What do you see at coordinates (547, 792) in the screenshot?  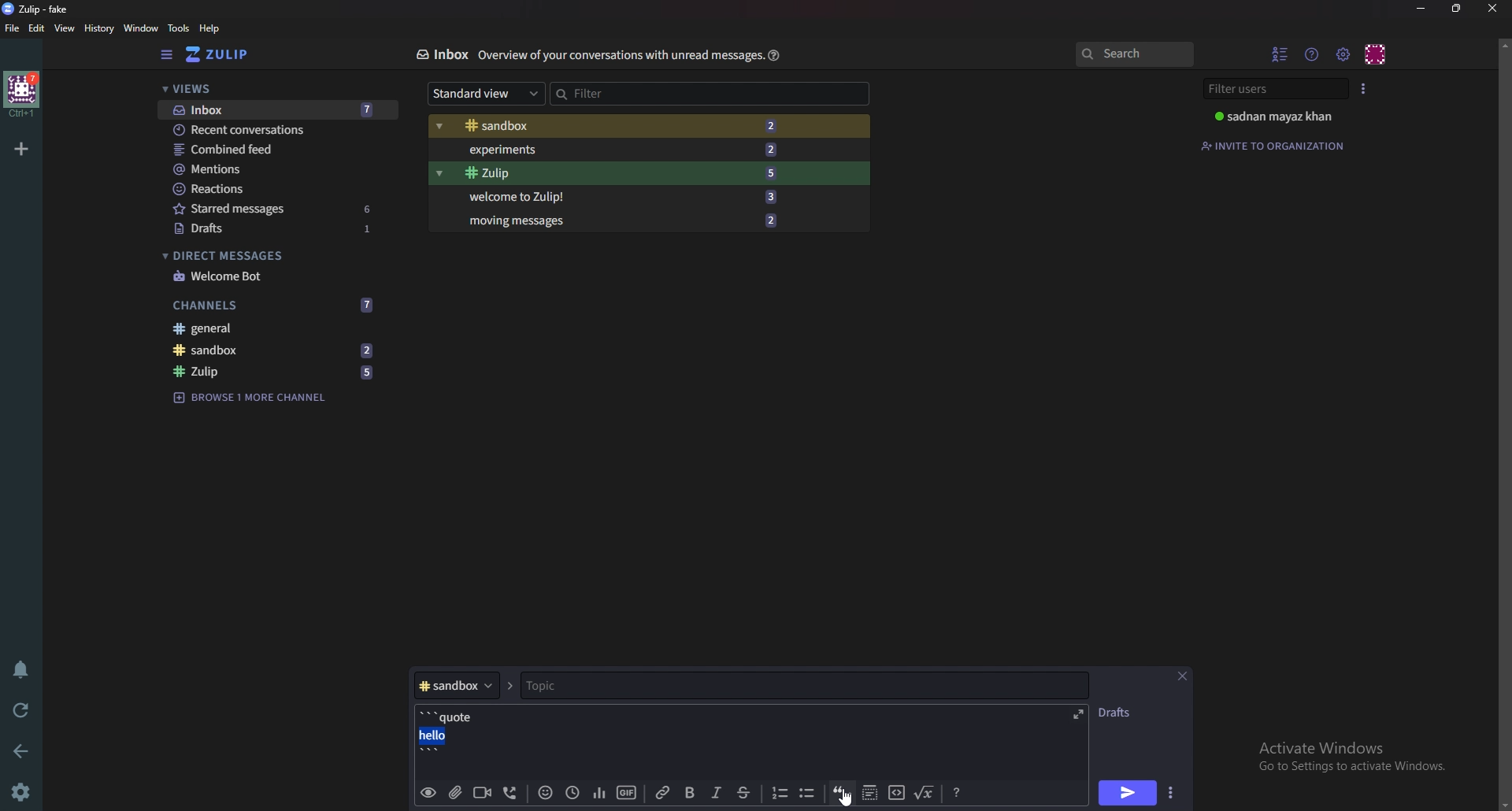 I see `Emoji` at bounding box center [547, 792].